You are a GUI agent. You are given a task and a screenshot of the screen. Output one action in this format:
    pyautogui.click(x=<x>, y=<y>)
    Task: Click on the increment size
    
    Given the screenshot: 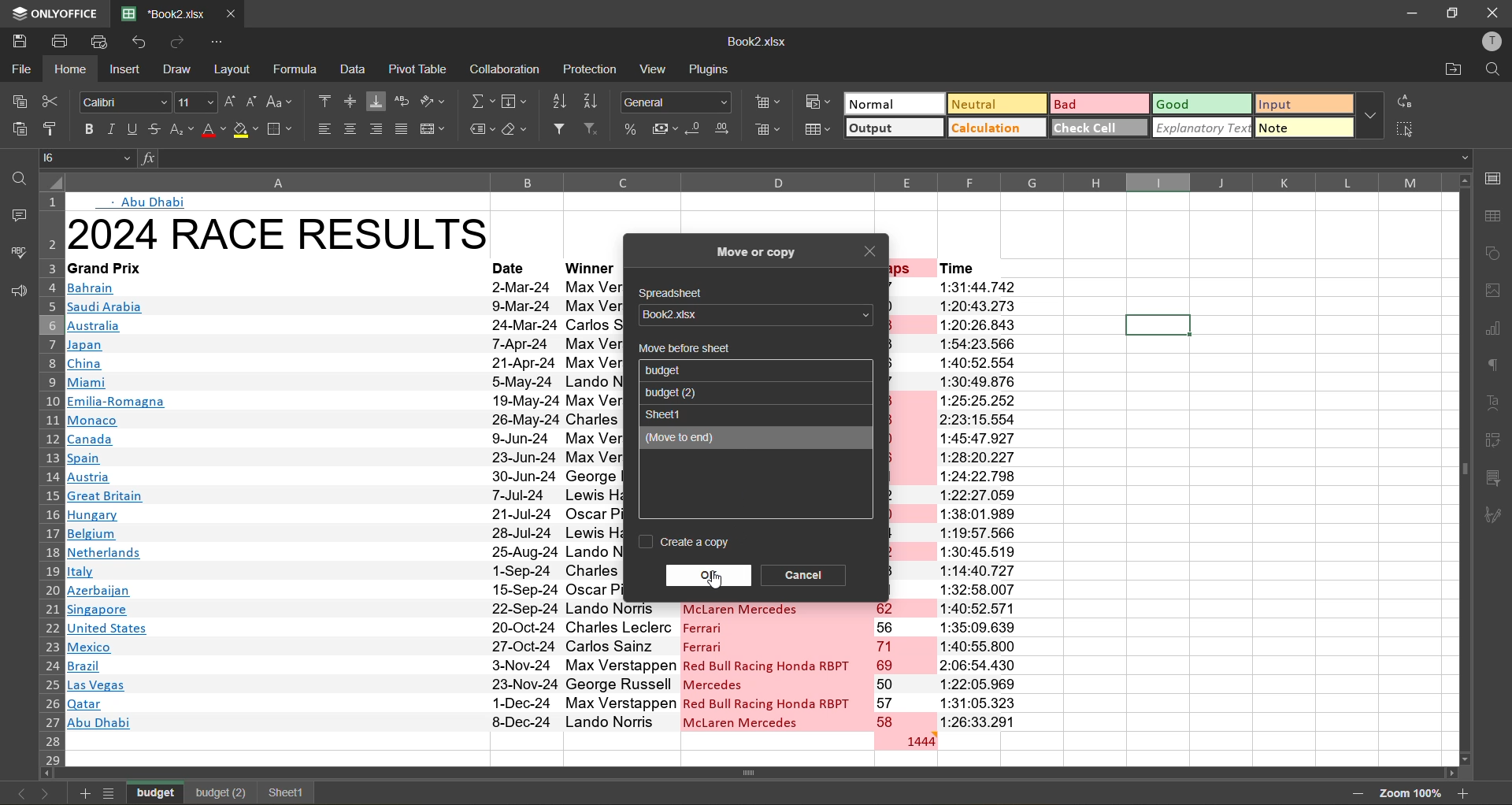 What is the action you would take?
    pyautogui.click(x=231, y=101)
    